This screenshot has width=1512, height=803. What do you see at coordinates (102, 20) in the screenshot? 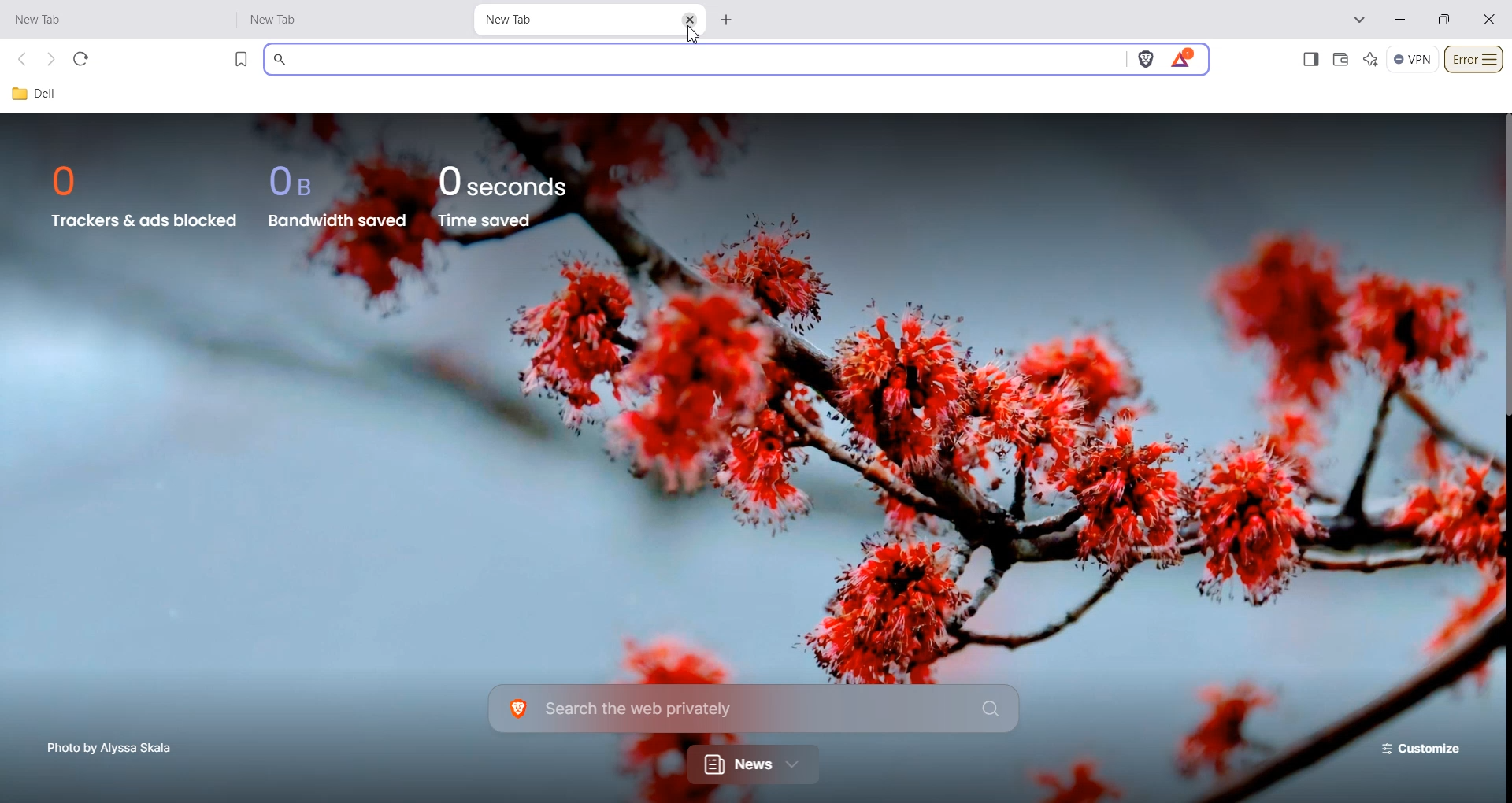
I see `New Tab` at bounding box center [102, 20].